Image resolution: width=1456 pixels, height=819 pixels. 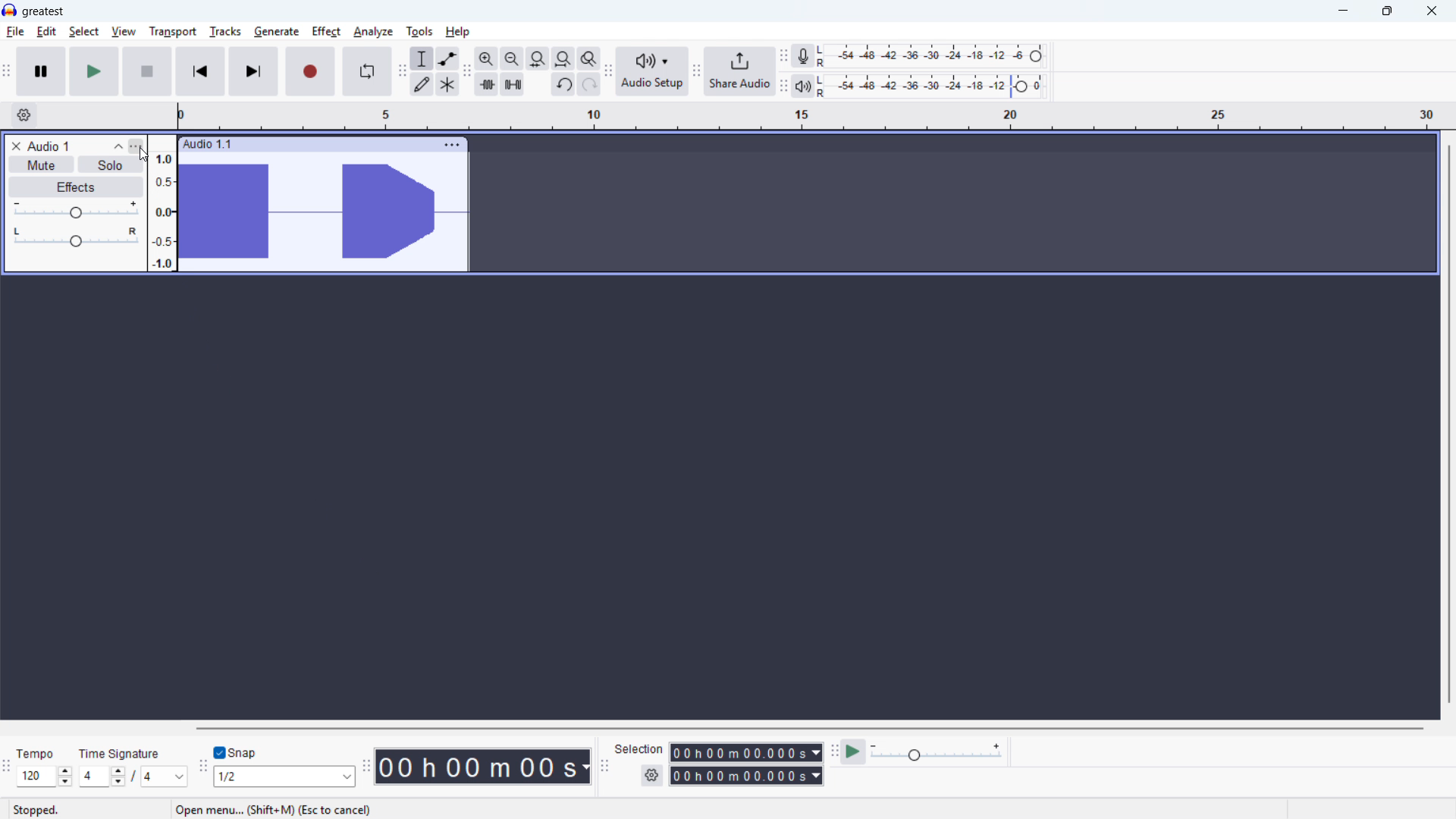 What do you see at coordinates (802, 56) in the screenshot?
I see `recording meter` at bounding box center [802, 56].